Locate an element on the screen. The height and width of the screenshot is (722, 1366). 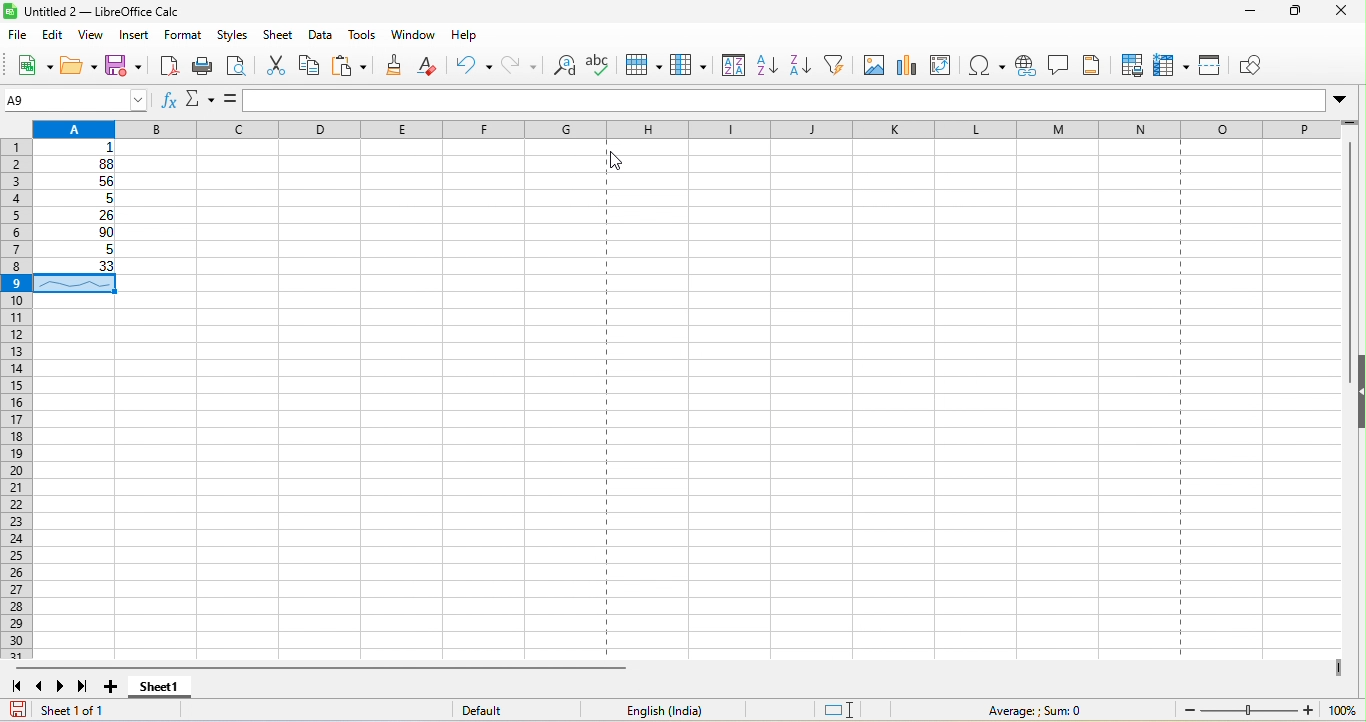
scroll to first sheet is located at coordinates (16, 687).